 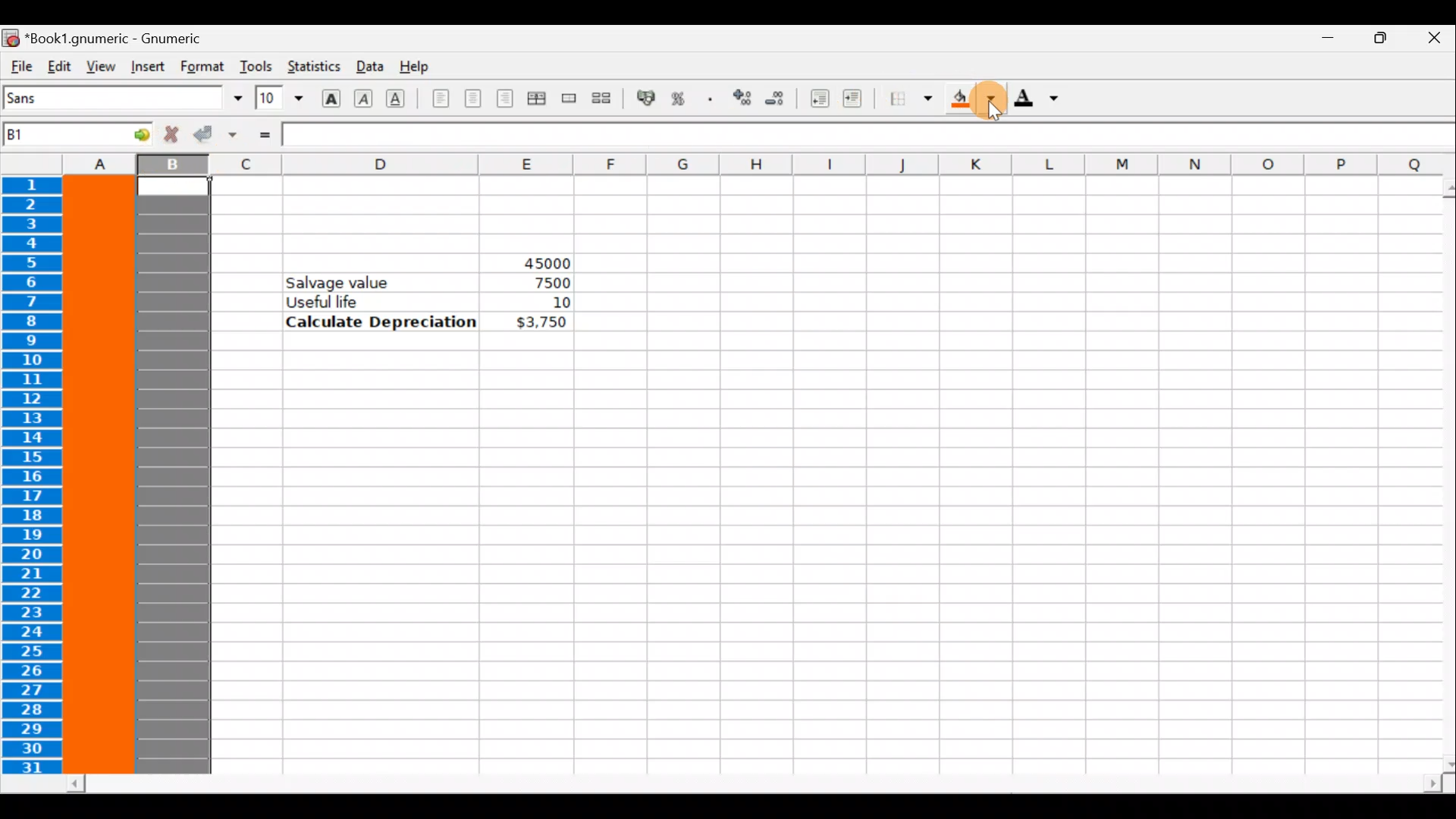 What do you see at coordinates (381, 321) in the screenshot?
I see `Calculate Depreciation` at bounding box center [381, 321].